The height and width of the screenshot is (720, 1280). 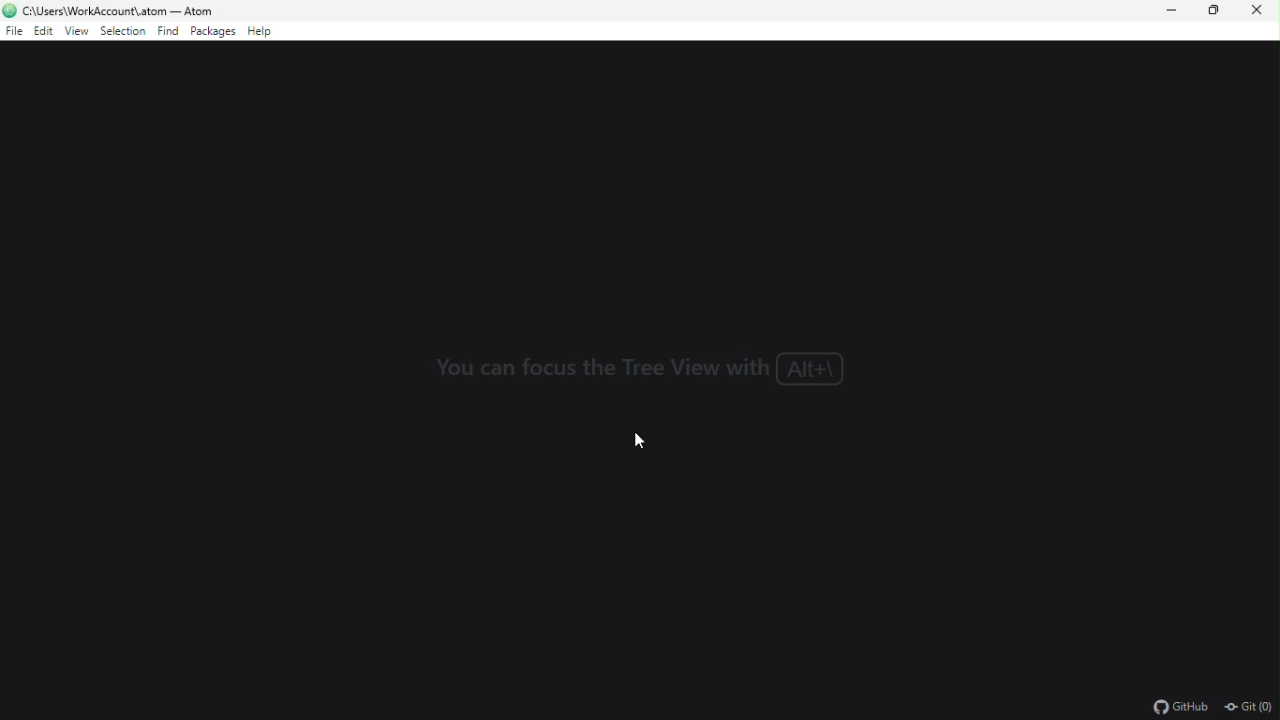 What do you see at coordinates (1262, 13) in the screenshot?
I see `close` at bounding box center [1262, 13].